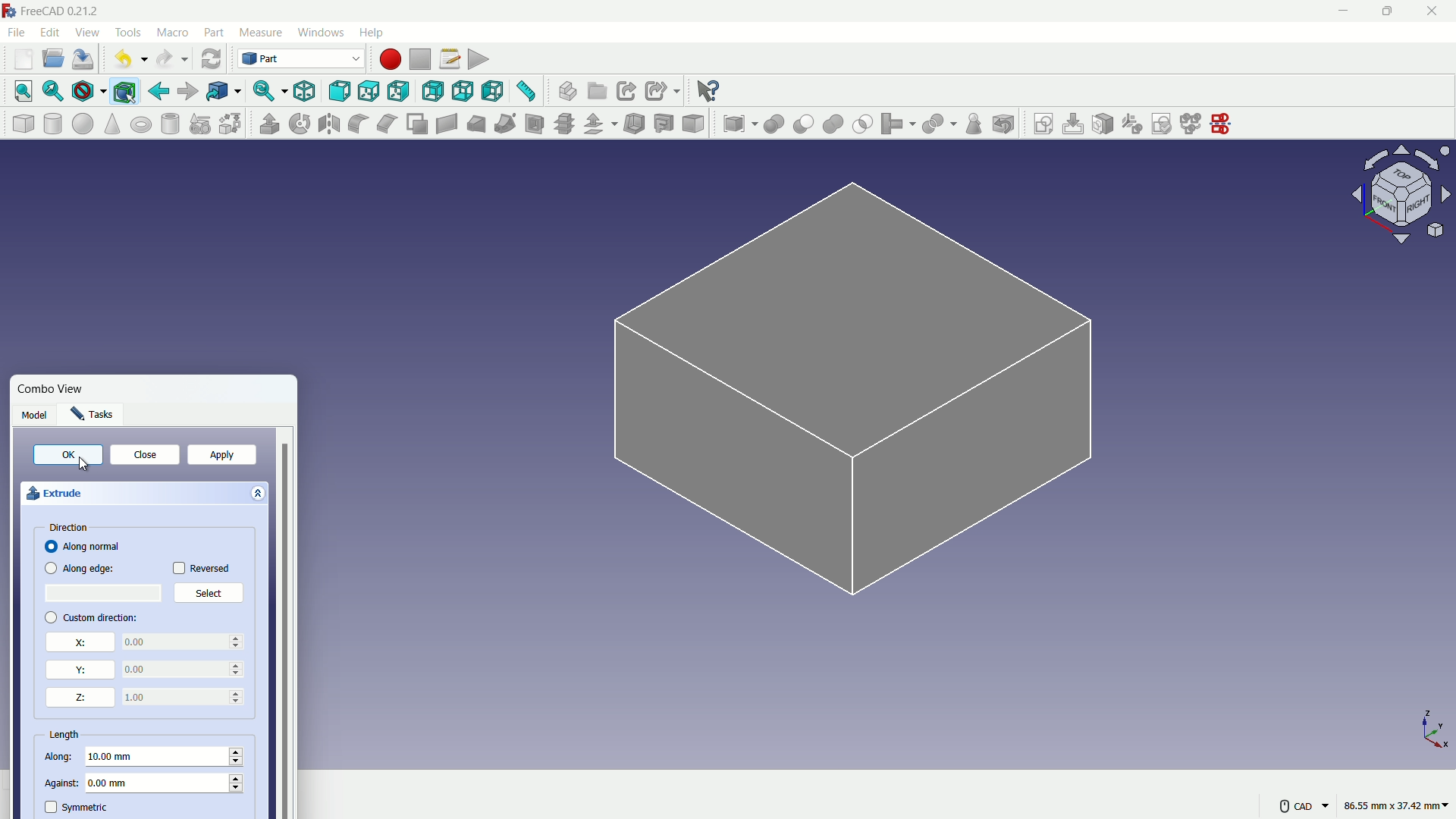 The image size is (1456, 819). I want to click on compound tool, so click(741, 125).